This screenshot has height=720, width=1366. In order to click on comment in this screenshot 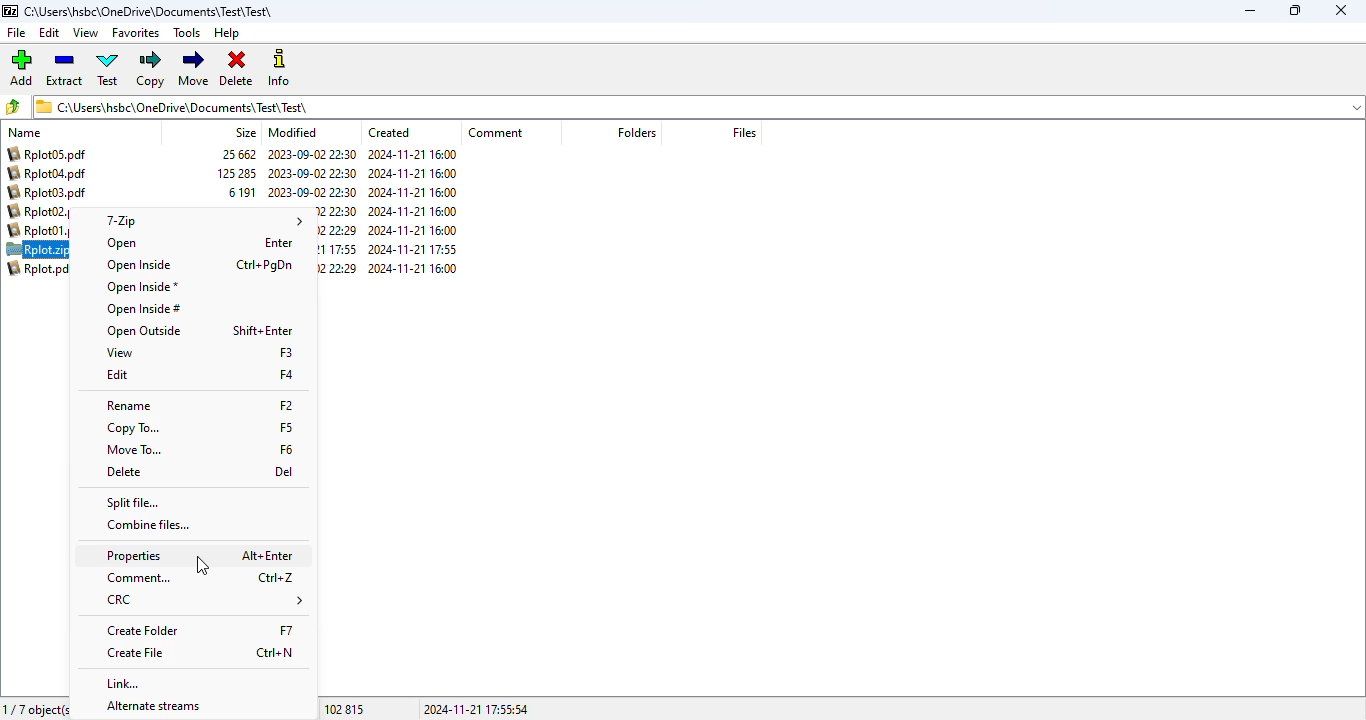, I will do `click(138, 578)`.